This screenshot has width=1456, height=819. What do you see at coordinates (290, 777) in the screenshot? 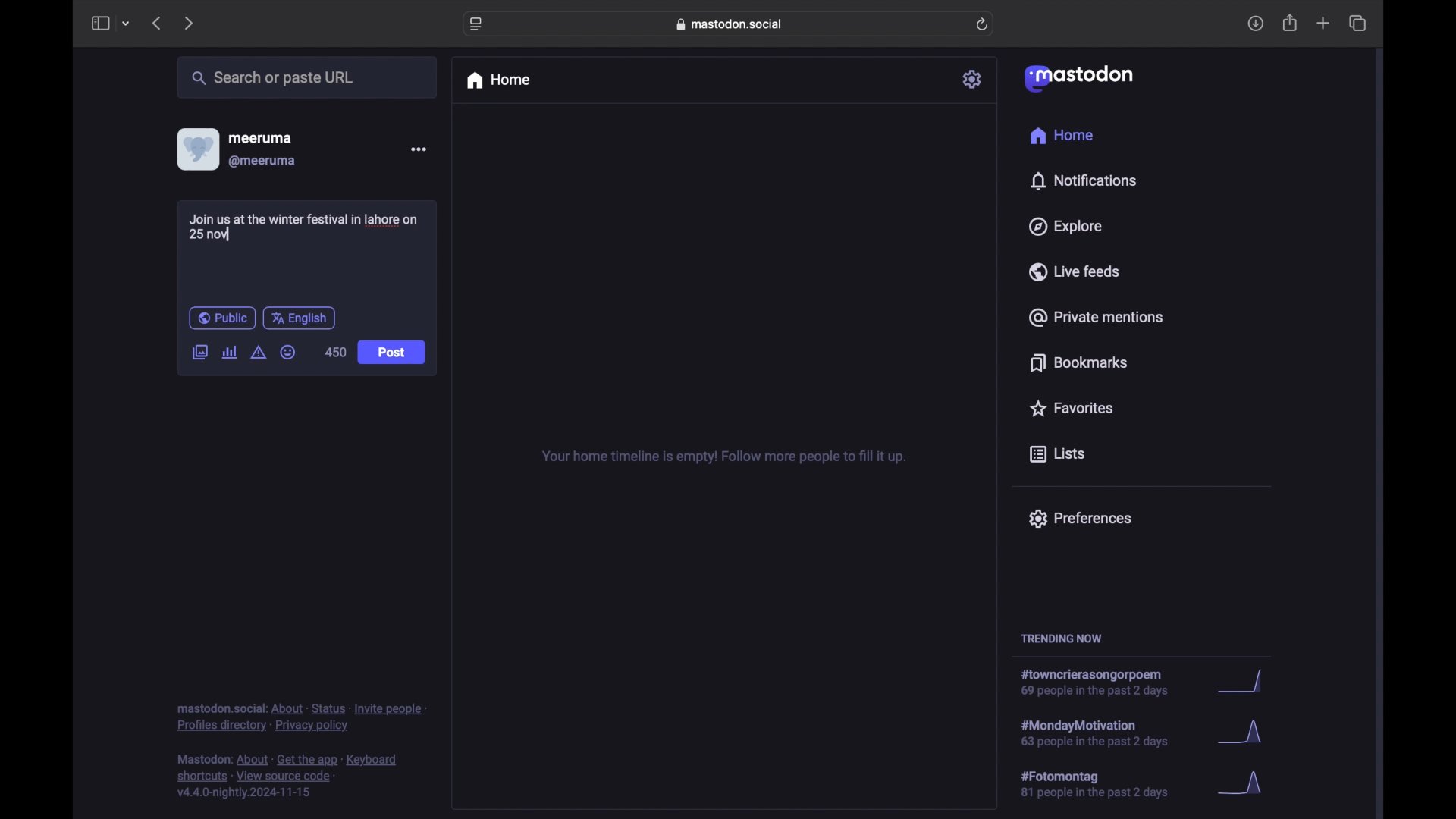
I see `footnote` at bounding box center [290, 777].